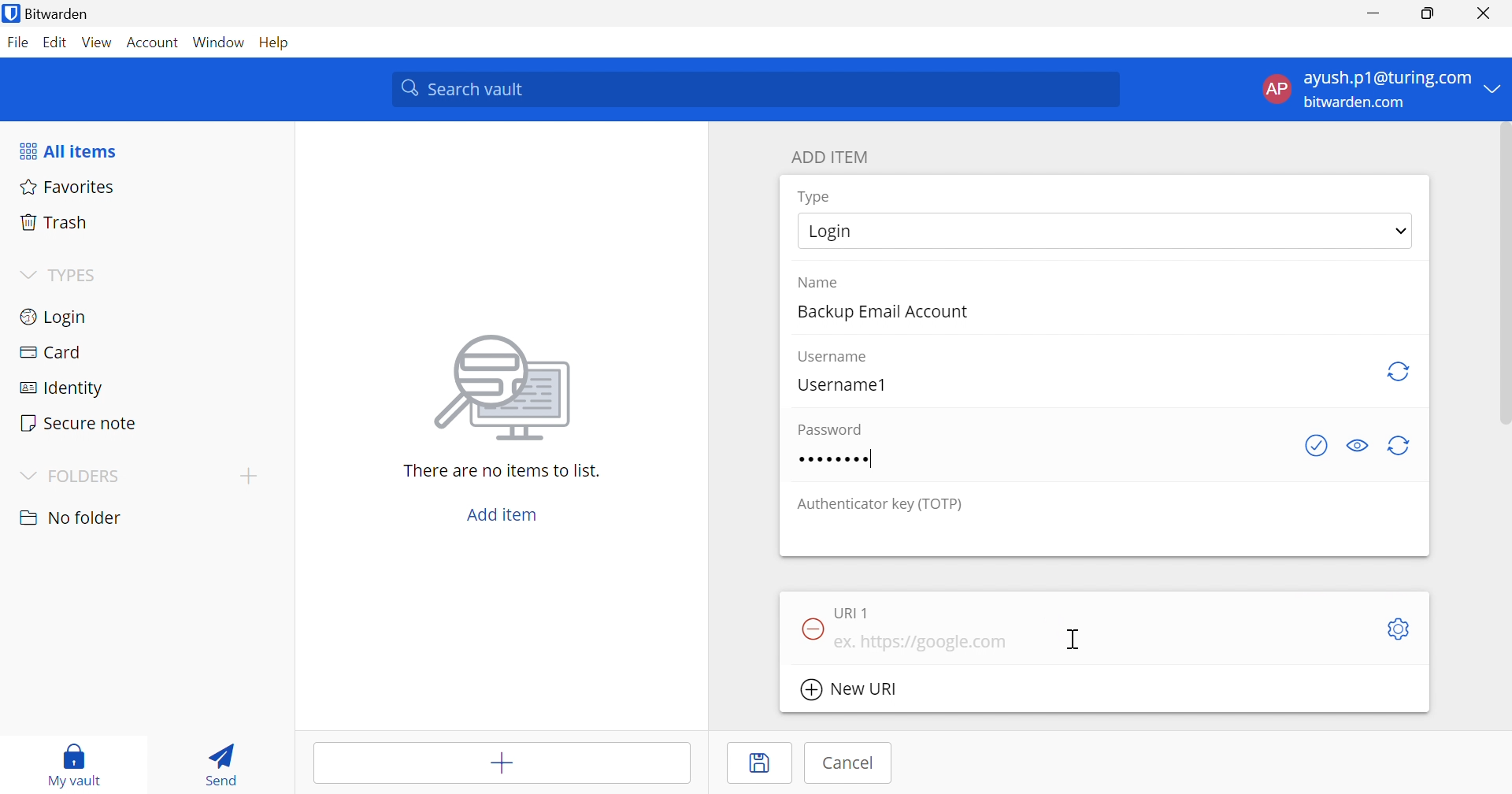  Describe the element at coordinates (11, 13) in the screenshot. I see `bitwarden logo` at that location.